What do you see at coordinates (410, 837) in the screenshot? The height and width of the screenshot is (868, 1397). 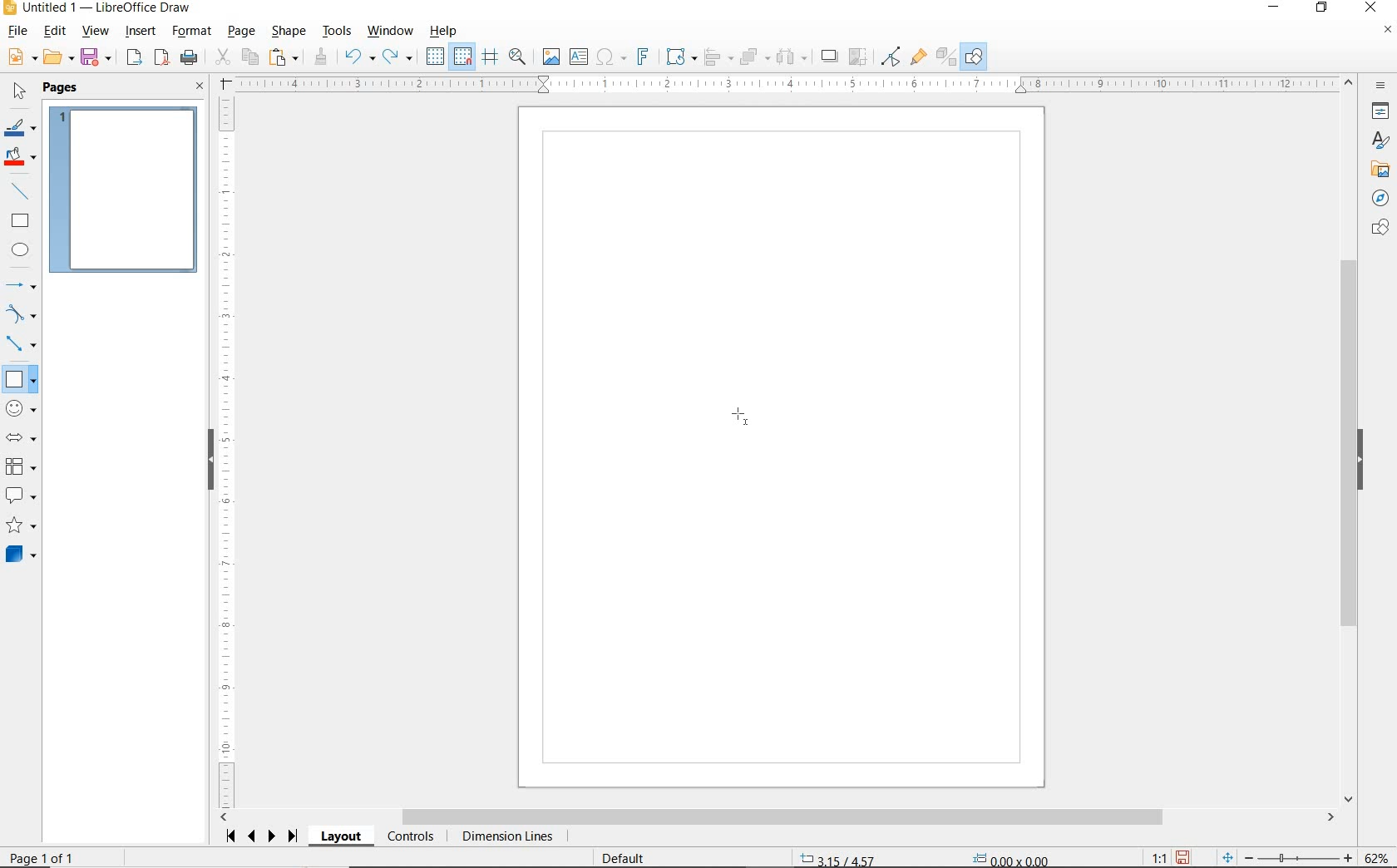 I see `CONTROLS` at bounding box center [410, 837].